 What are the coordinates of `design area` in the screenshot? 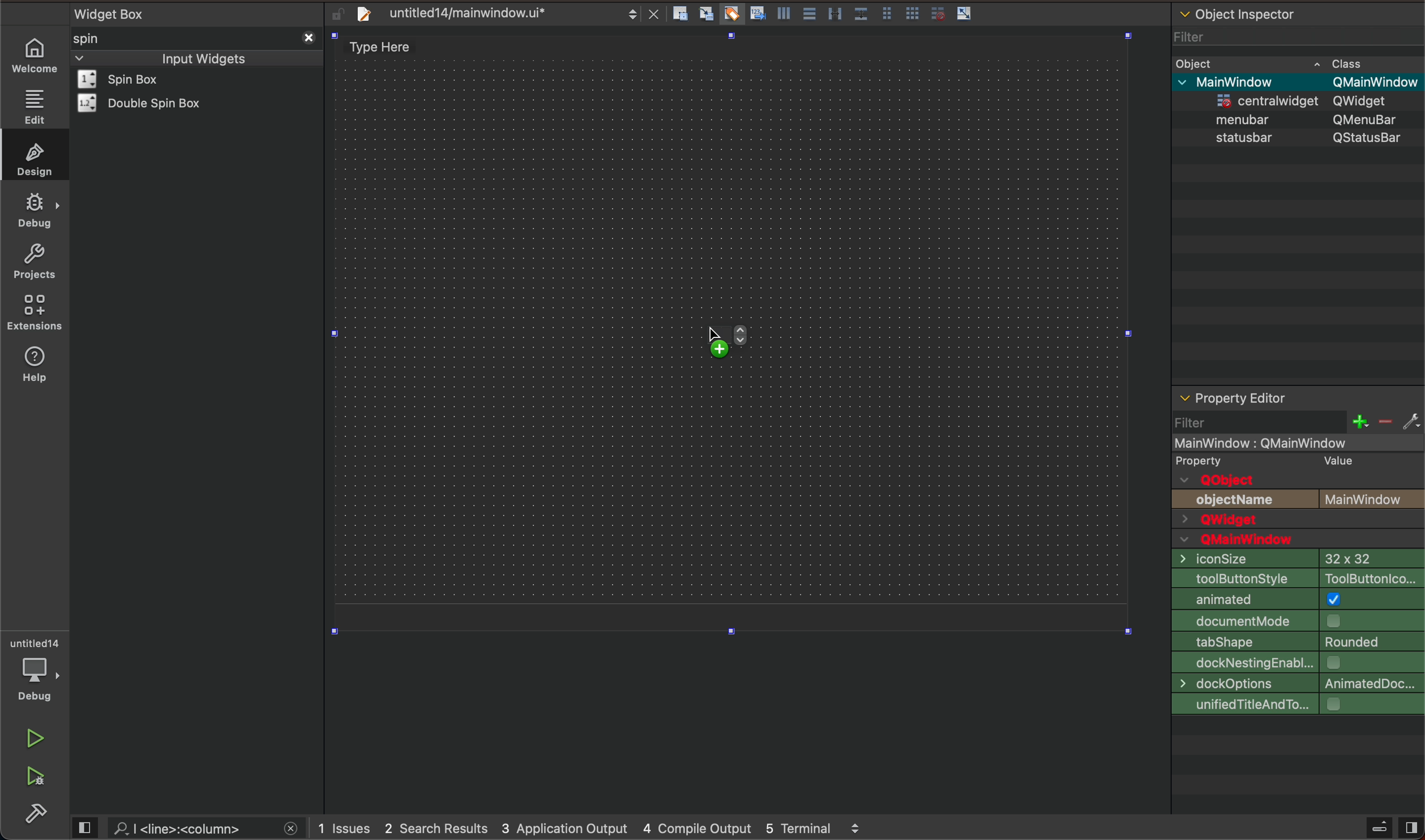 It's located at (387, 47).